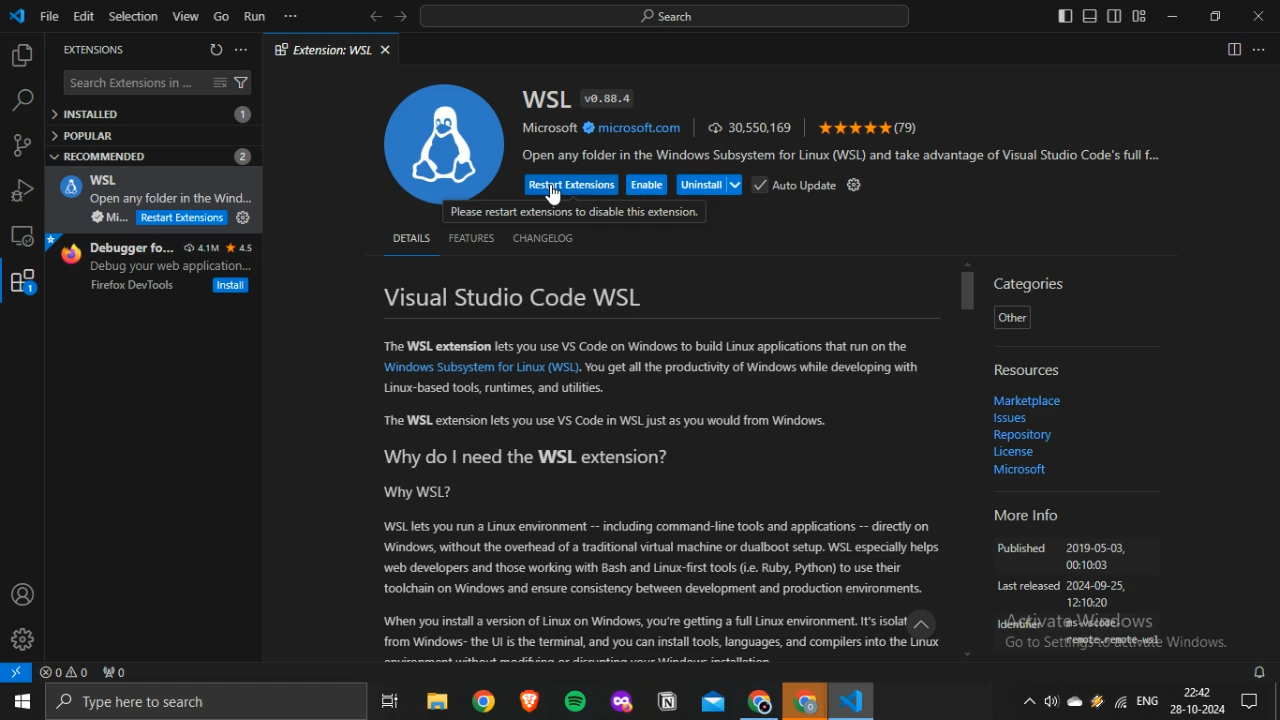 Image resolution: width=1280 pixels, height=720 pixels. What do you see at coordinates (49, 16) in the screenshot?
I see `File` at bounding box center [49, 16].